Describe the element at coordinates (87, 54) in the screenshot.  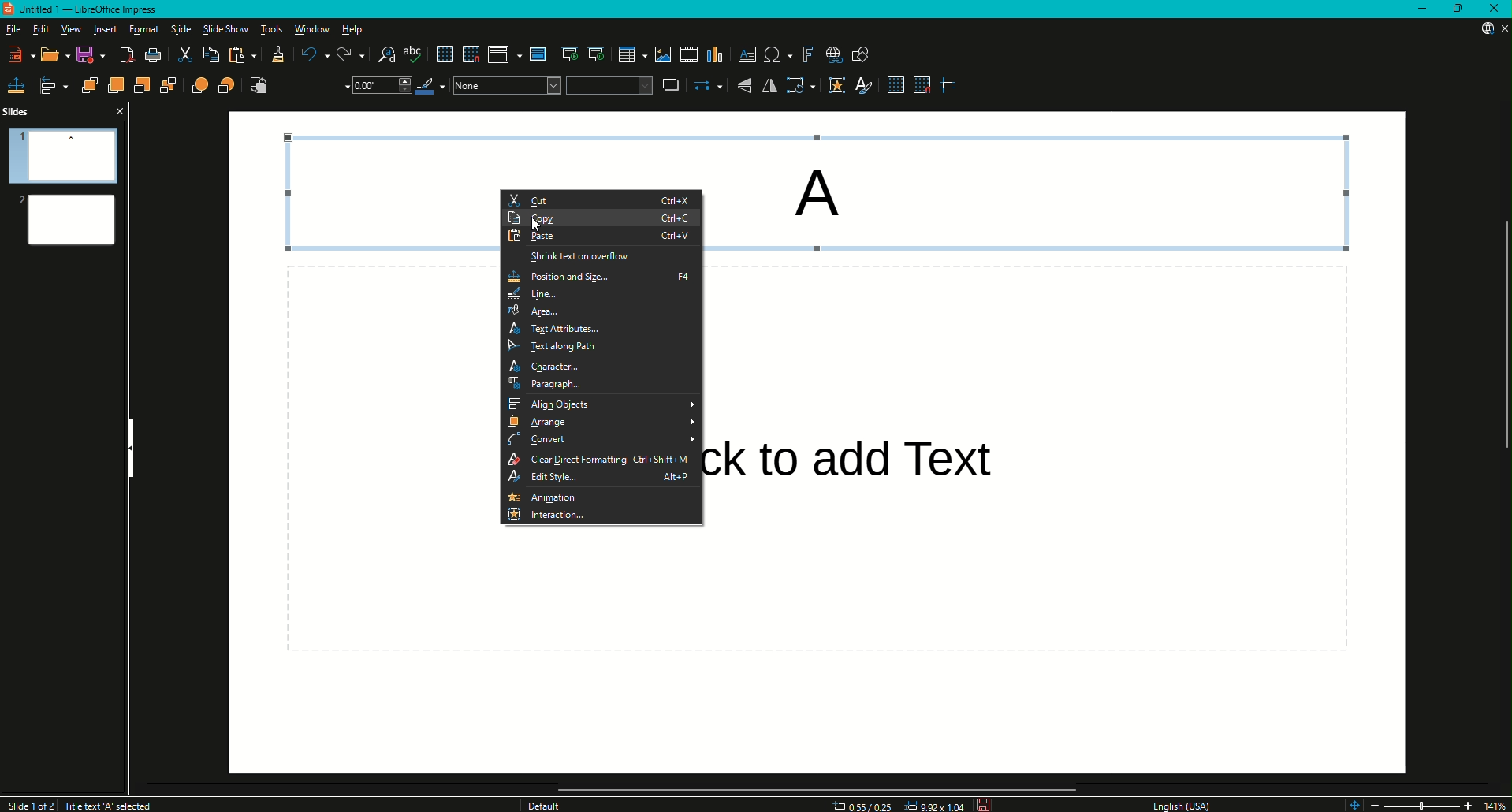
I see `Save` at that location.